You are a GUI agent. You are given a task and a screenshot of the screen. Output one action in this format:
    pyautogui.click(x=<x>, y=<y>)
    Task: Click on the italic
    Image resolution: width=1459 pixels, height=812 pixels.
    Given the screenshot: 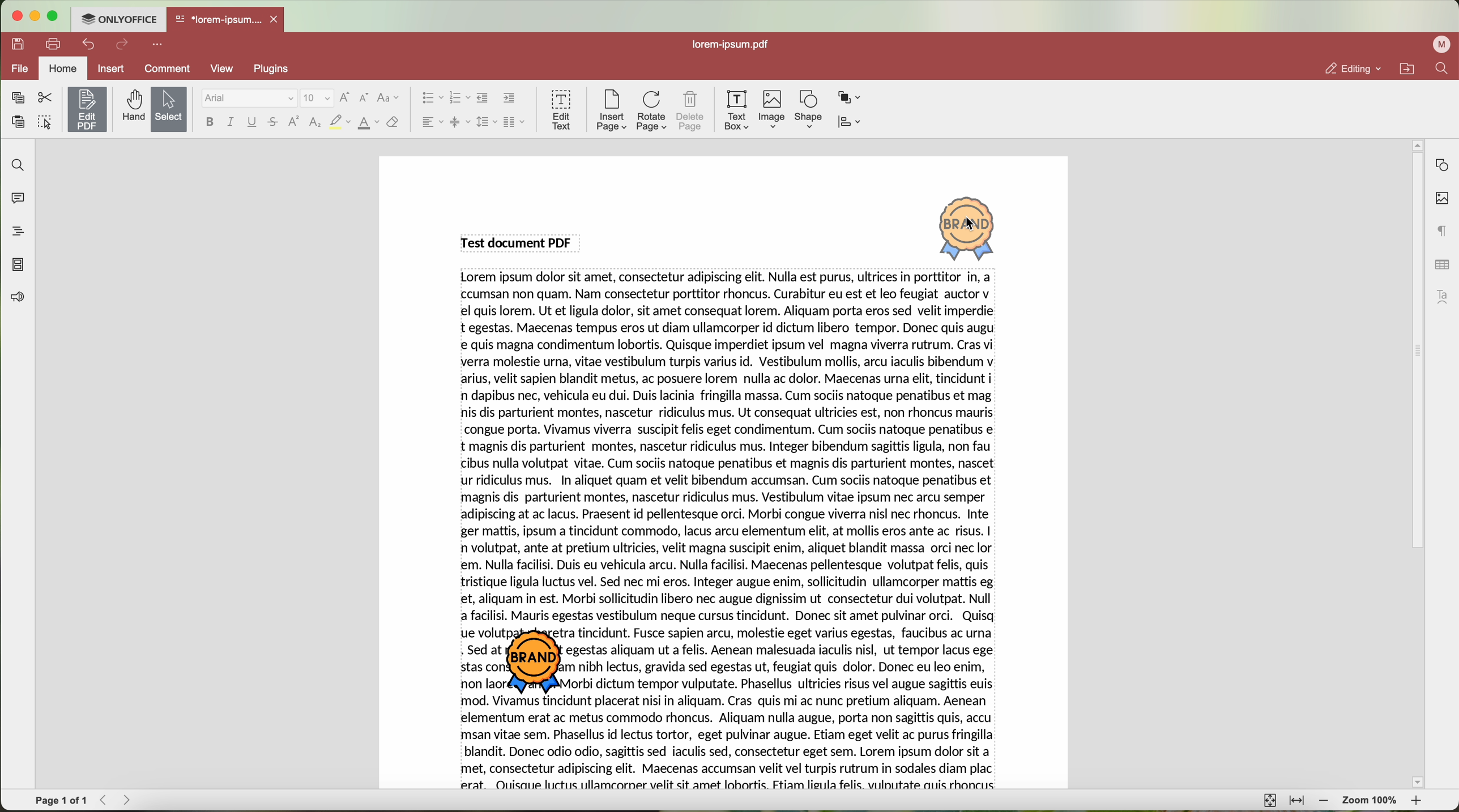 What is the action you would take?
    pyautogui.click(x=231, y=122)
    